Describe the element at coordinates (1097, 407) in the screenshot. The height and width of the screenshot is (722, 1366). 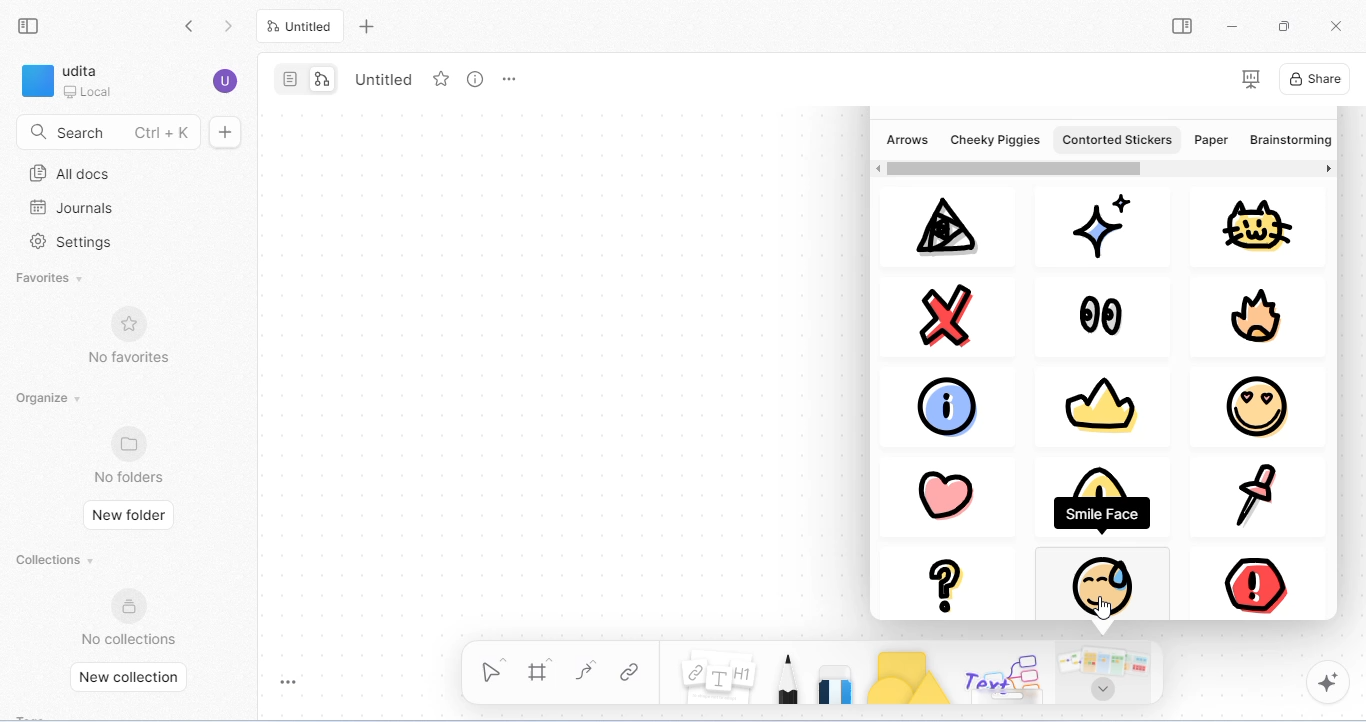
I see `king` at that location.